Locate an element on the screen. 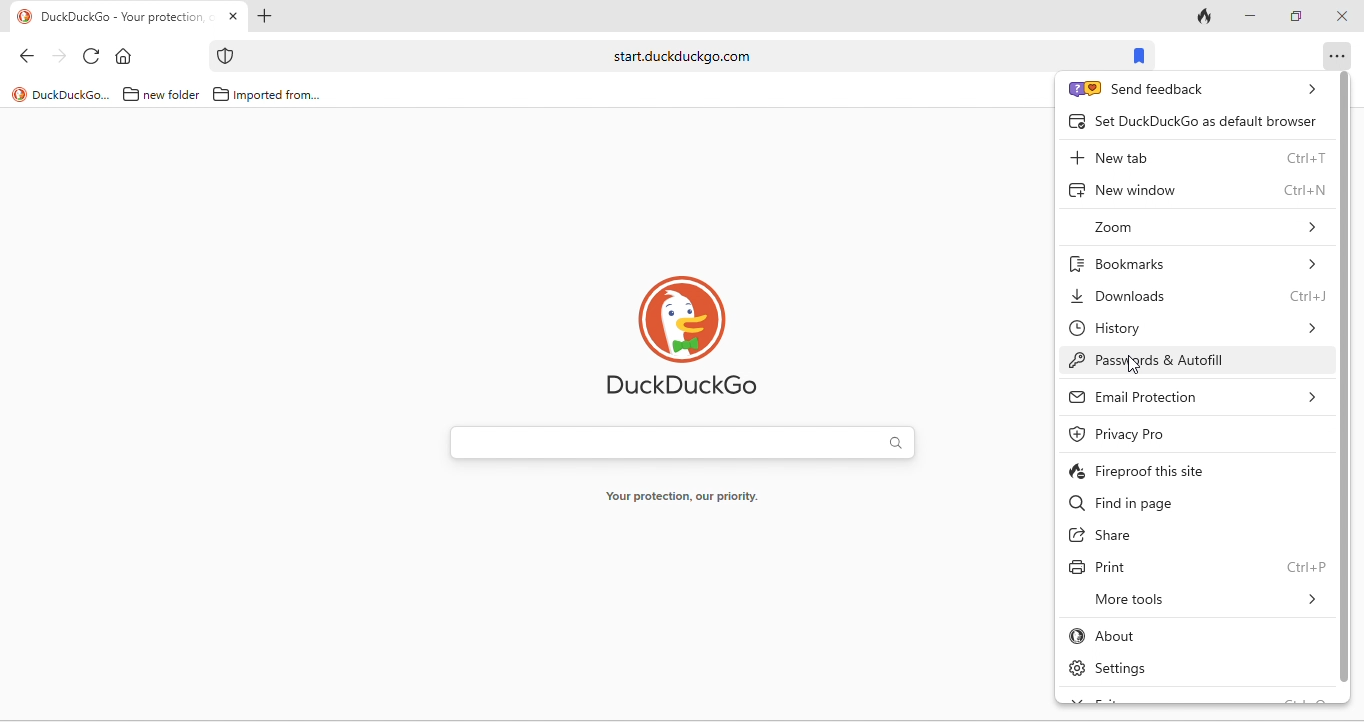 Image resolution: width=1364 pixels, height=722 pixels. settings is located at coordinates (1179, 668).